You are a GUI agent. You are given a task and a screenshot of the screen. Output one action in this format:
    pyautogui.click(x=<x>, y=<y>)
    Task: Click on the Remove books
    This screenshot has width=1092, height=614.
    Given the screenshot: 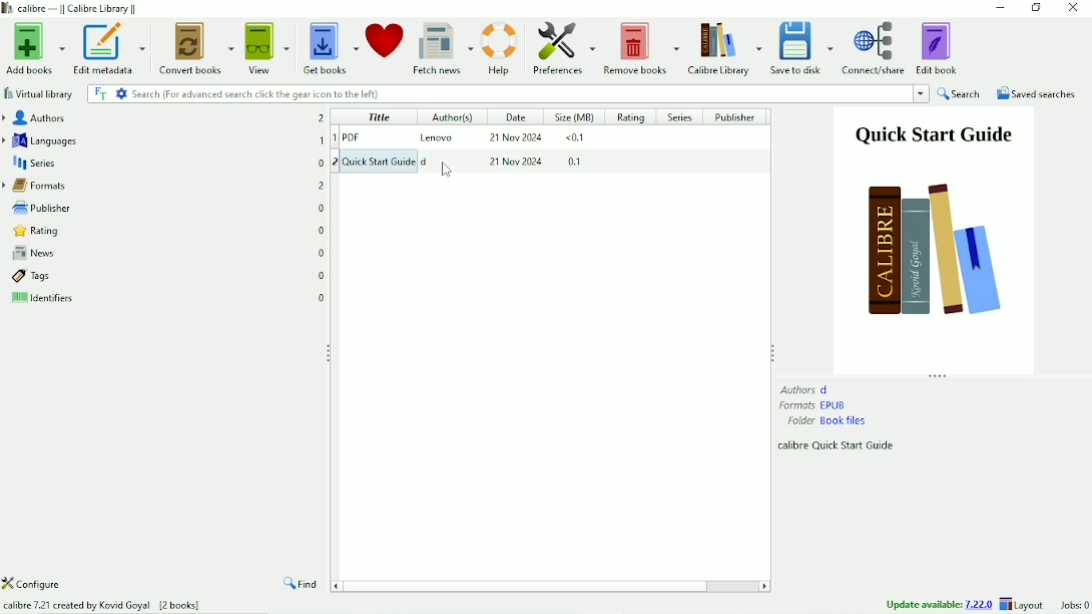 What is the action you would take?
    pyautogui.click(x=640, y=47)
    